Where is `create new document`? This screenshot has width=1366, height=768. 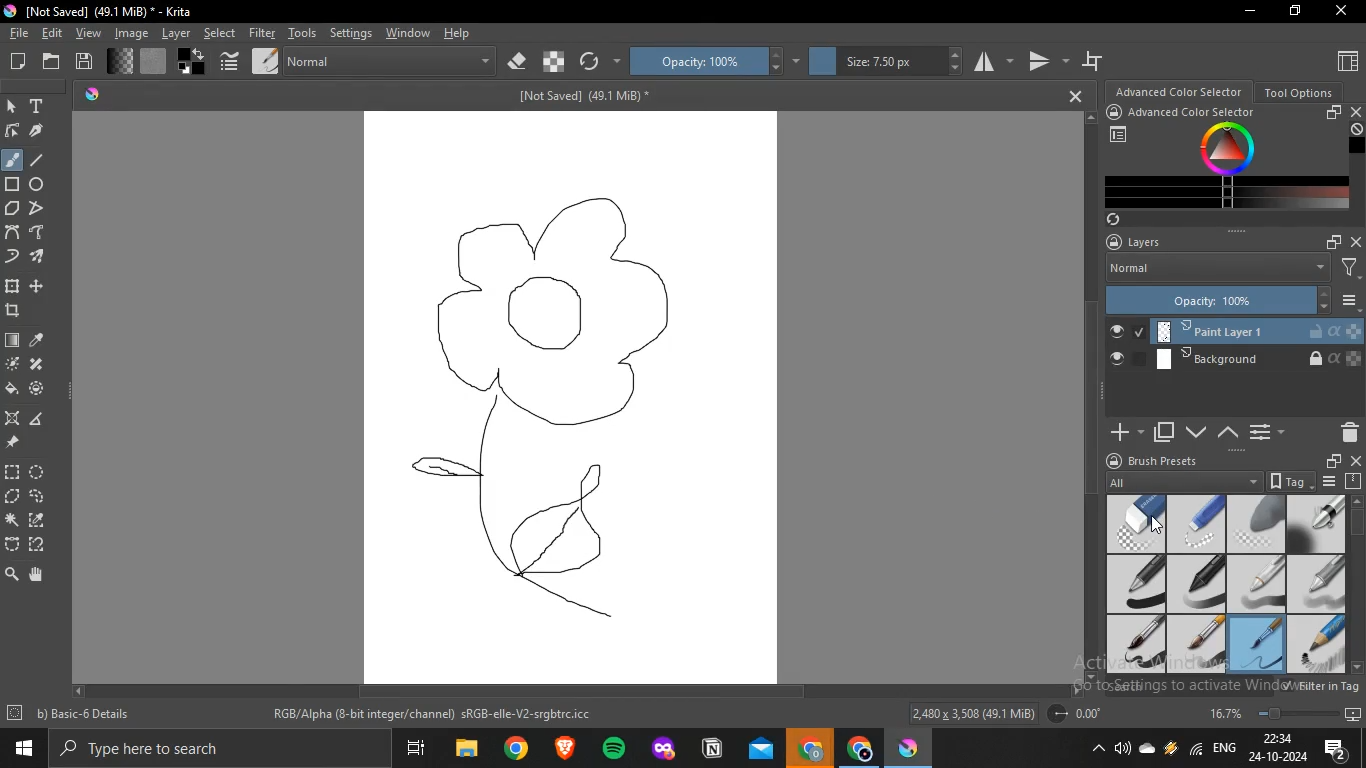 create new document is located at coordinates (21, 62).